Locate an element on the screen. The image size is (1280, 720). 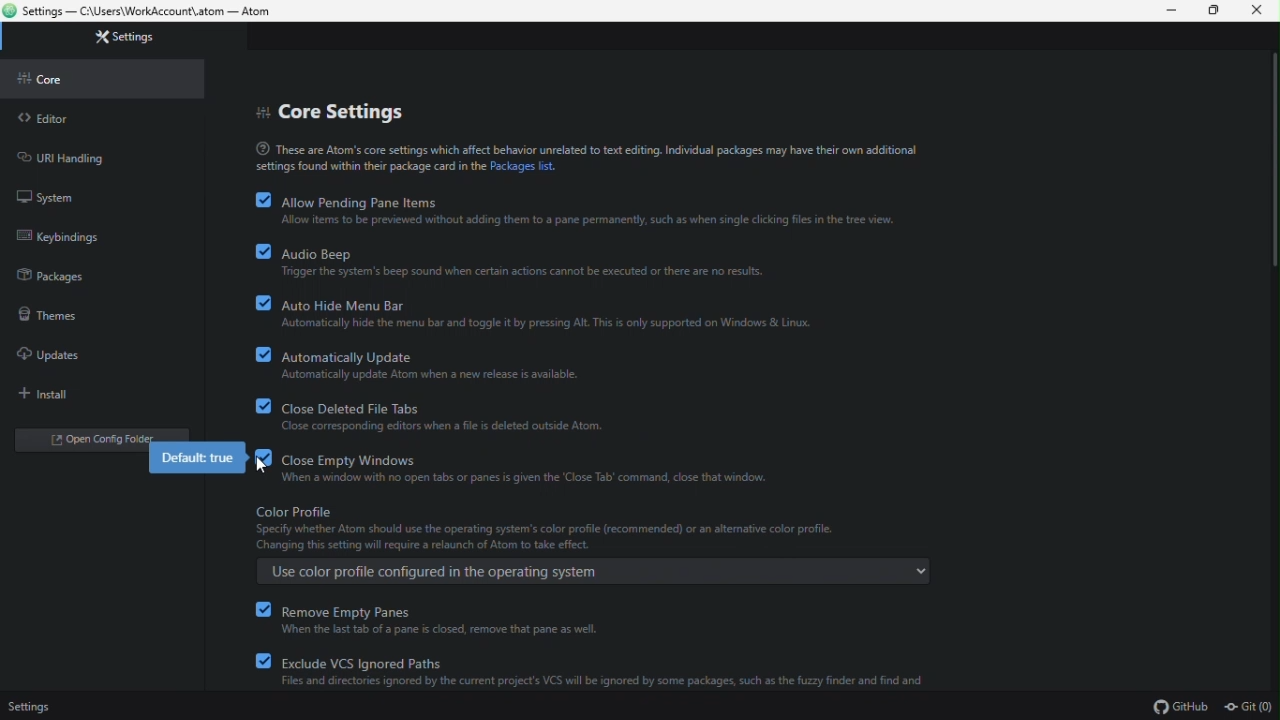
settings is located at coordinates (127, 37).